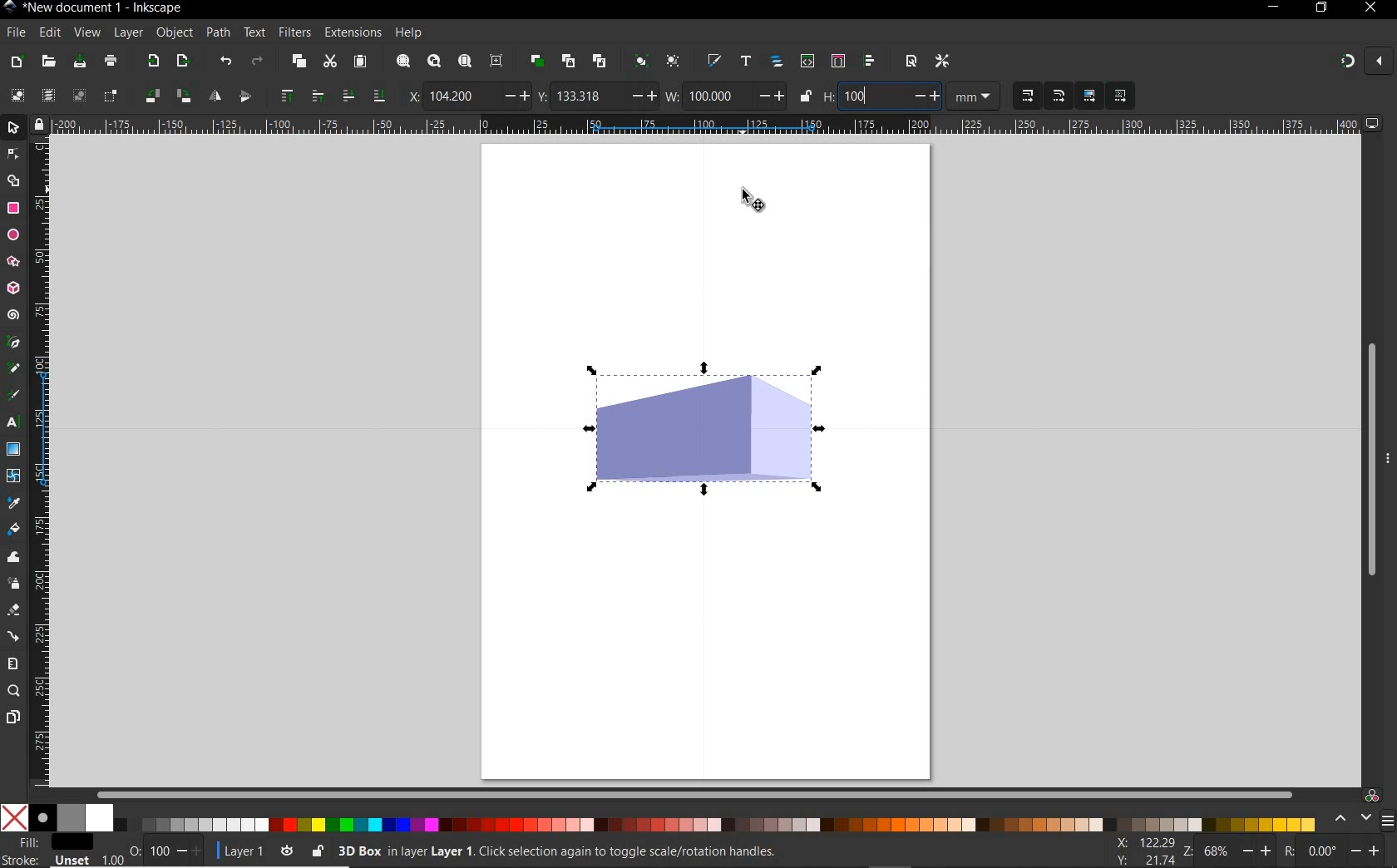 Image resolution: width=1397 pixels, height=868 pixels. Describe the element at coordinates (1321, 851) in the screenshot. I see `0` at that location.